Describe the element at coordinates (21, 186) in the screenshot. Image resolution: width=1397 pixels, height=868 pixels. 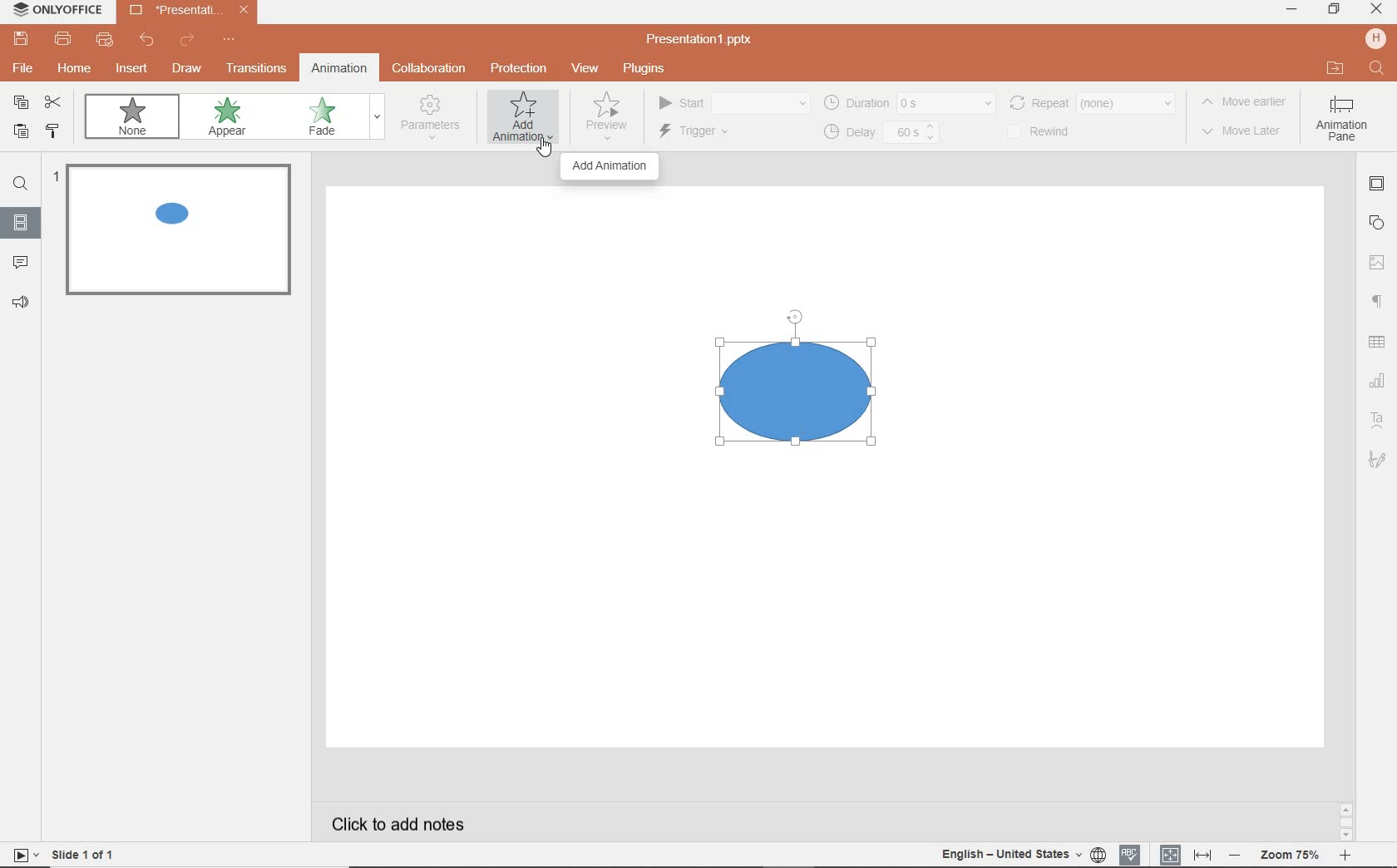
I see `find` at that location.